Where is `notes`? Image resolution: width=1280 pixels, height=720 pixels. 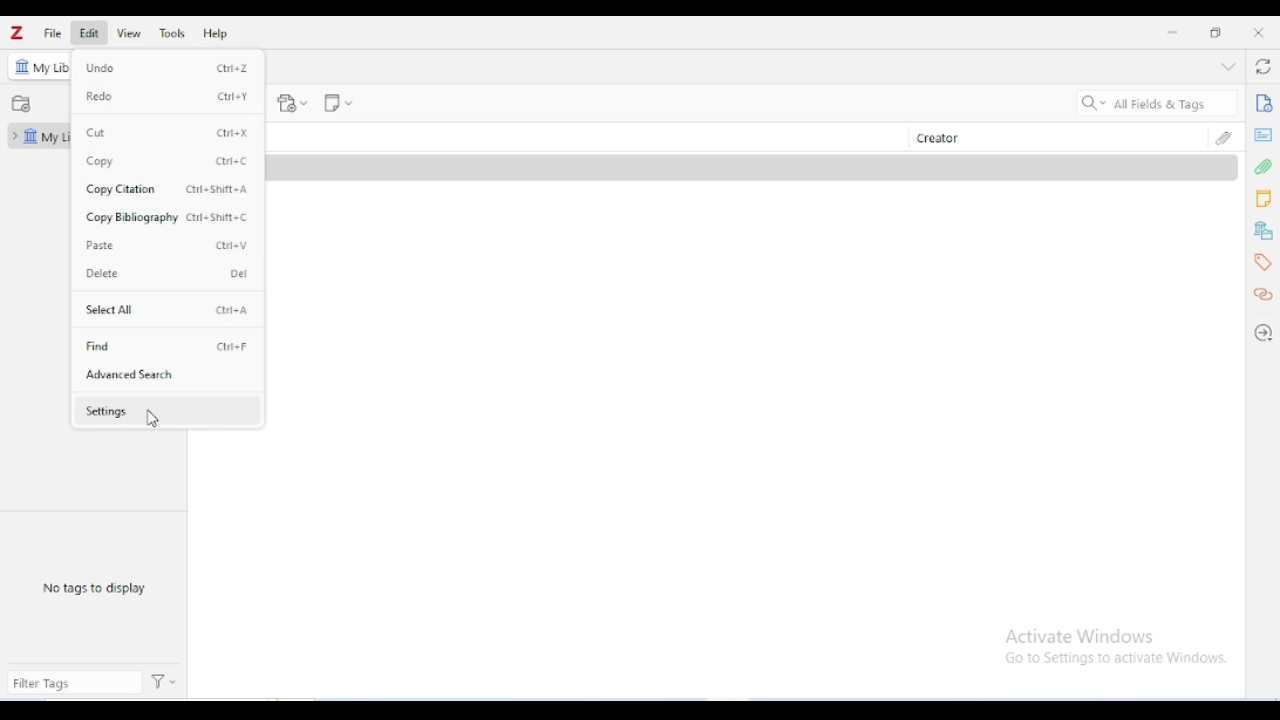
notes is located at coordinates (1264, 199).